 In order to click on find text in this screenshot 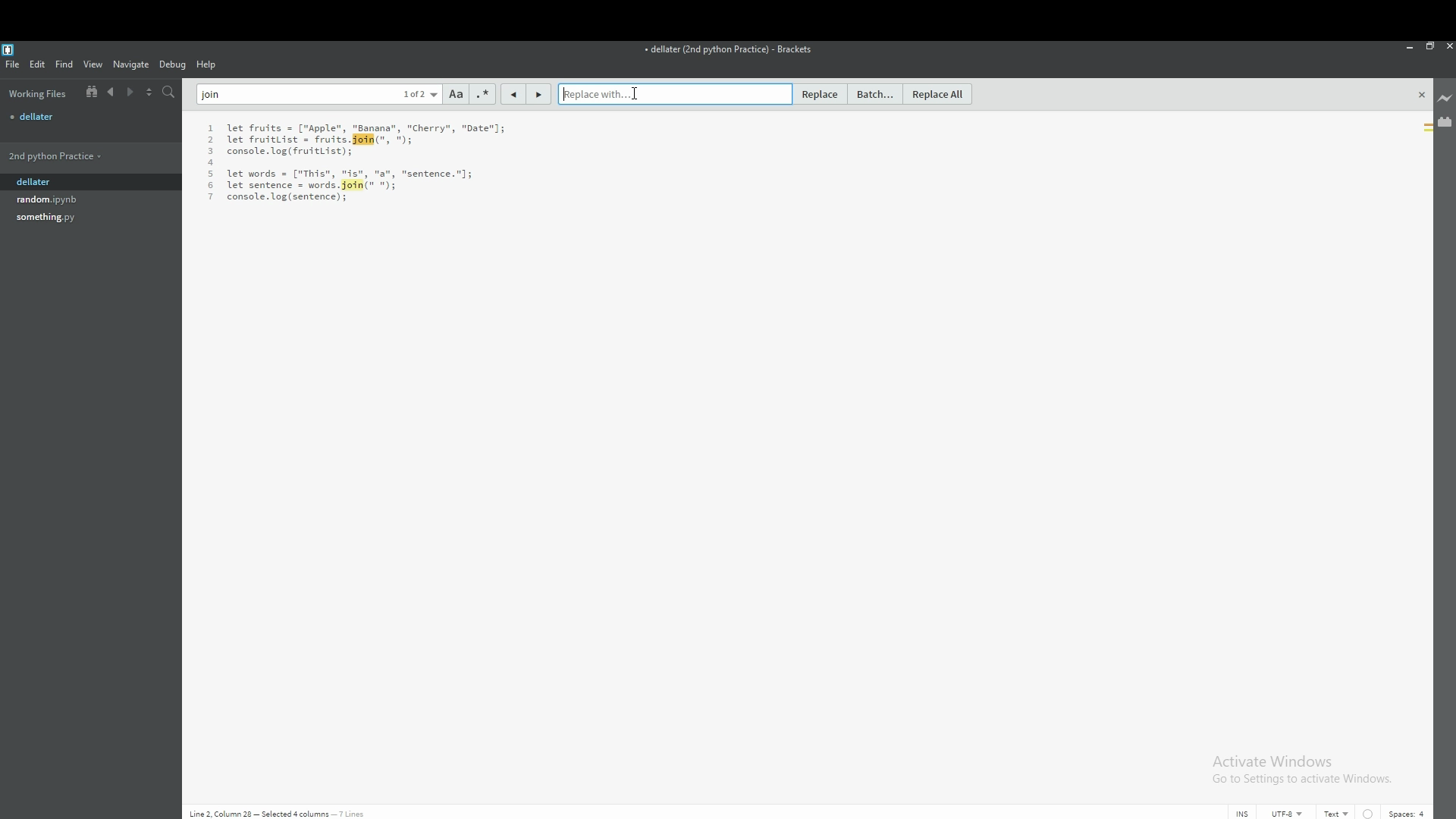, I will do `click(319, 94)`.